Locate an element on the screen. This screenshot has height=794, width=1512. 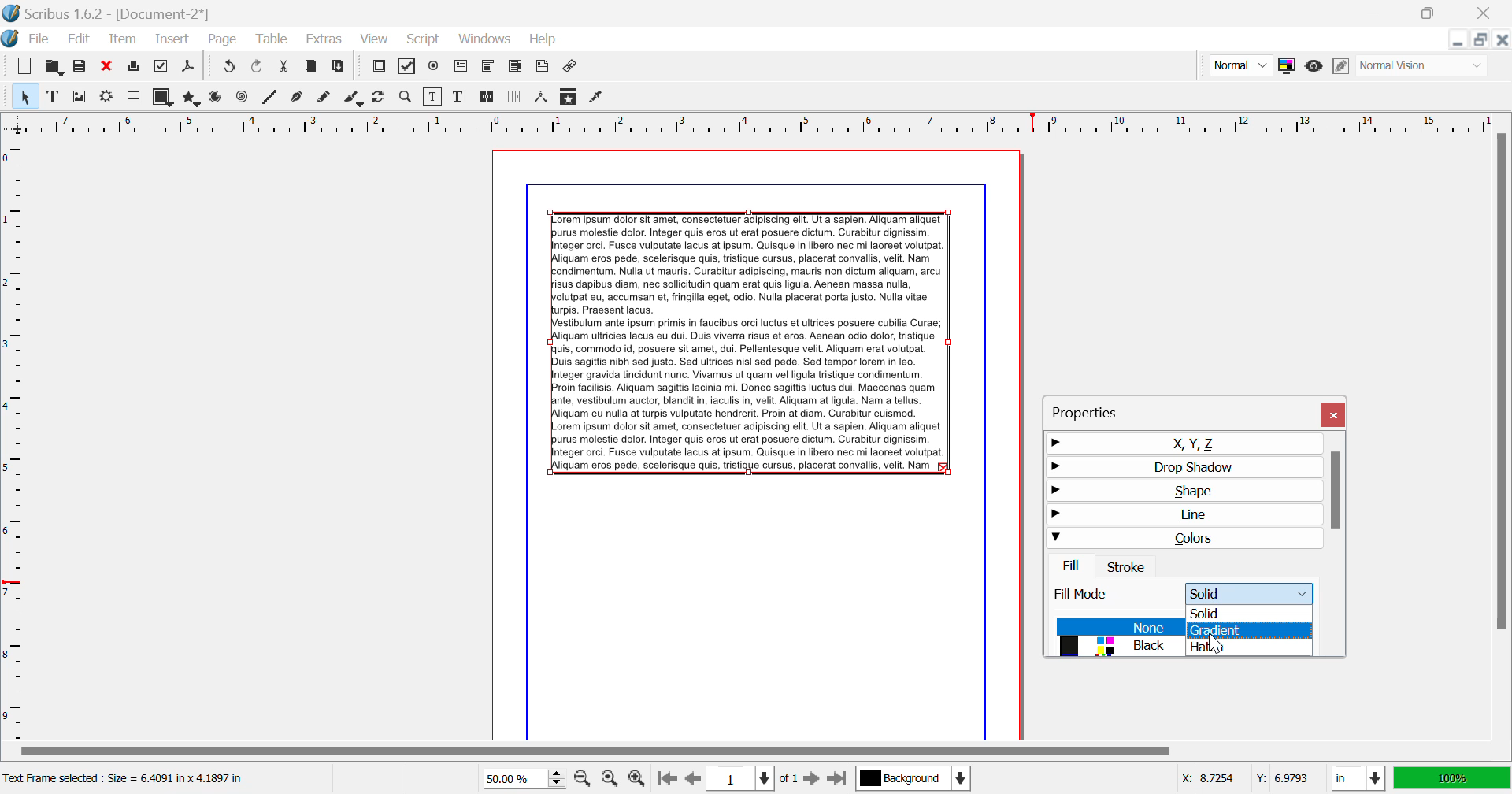
Shapes is located at coordinates (162, 97).